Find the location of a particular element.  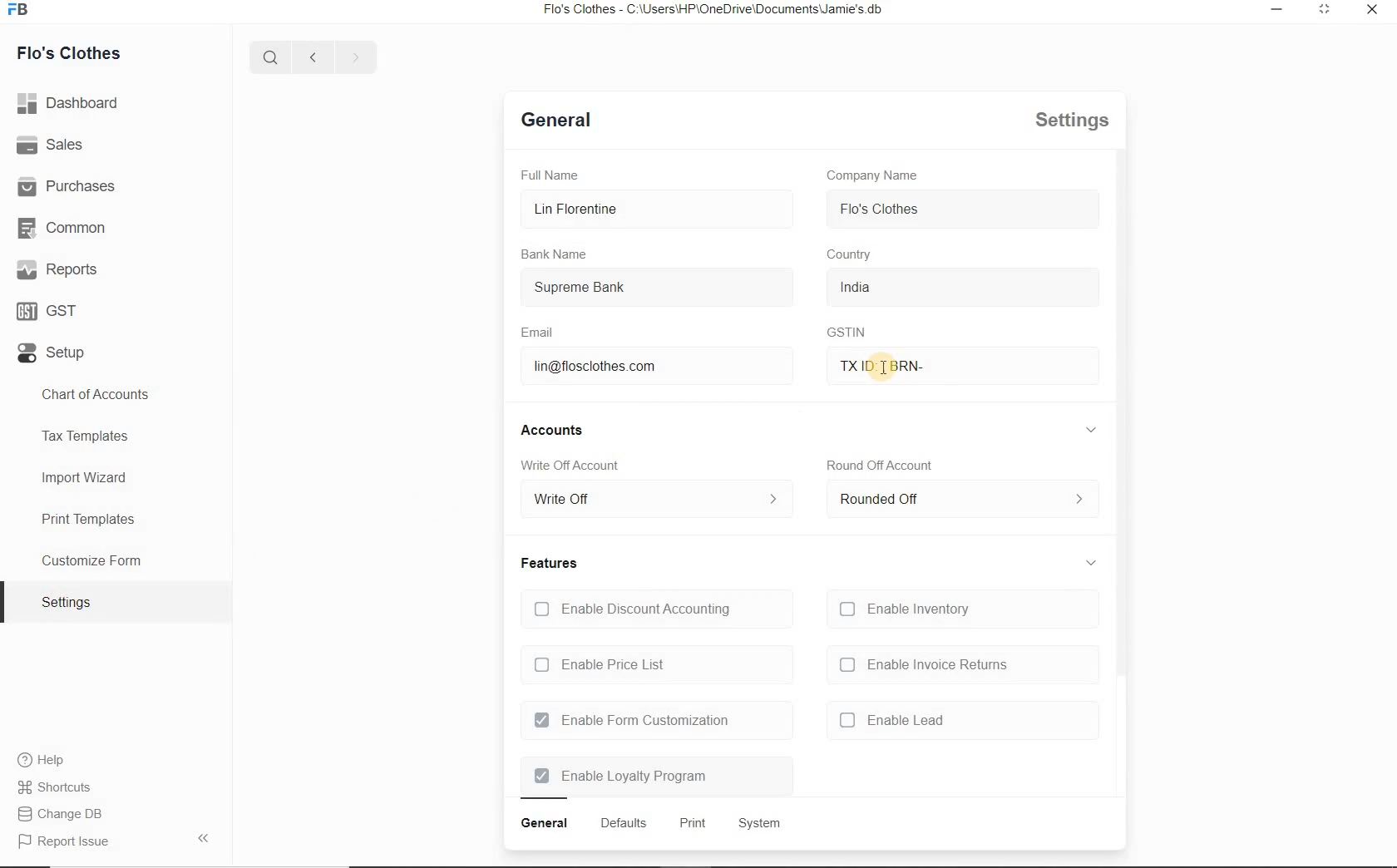

Change DB is located at coordinates (66, 787).